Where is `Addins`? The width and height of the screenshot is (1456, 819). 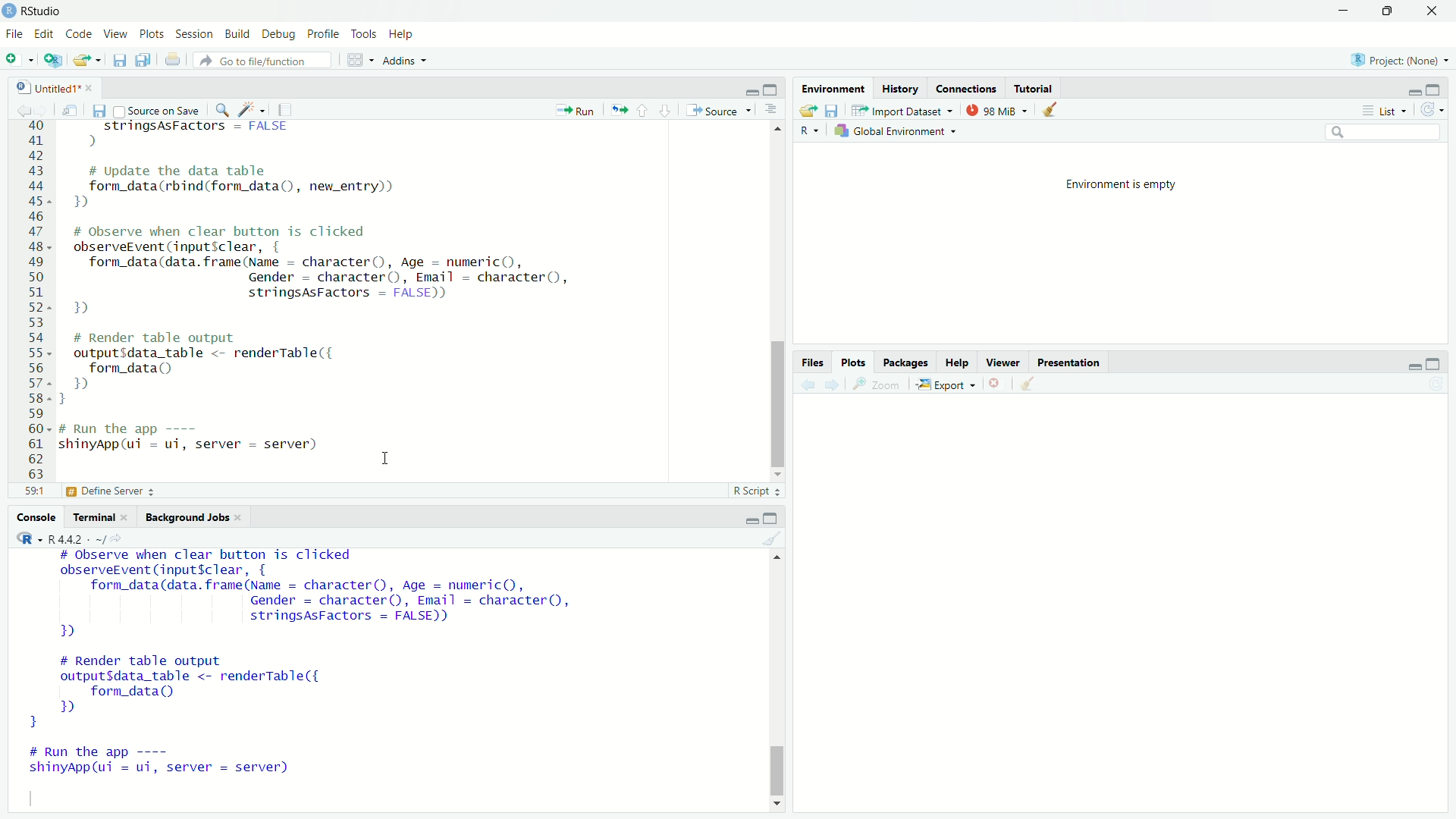
Addins is located at coordinates (405, 58).